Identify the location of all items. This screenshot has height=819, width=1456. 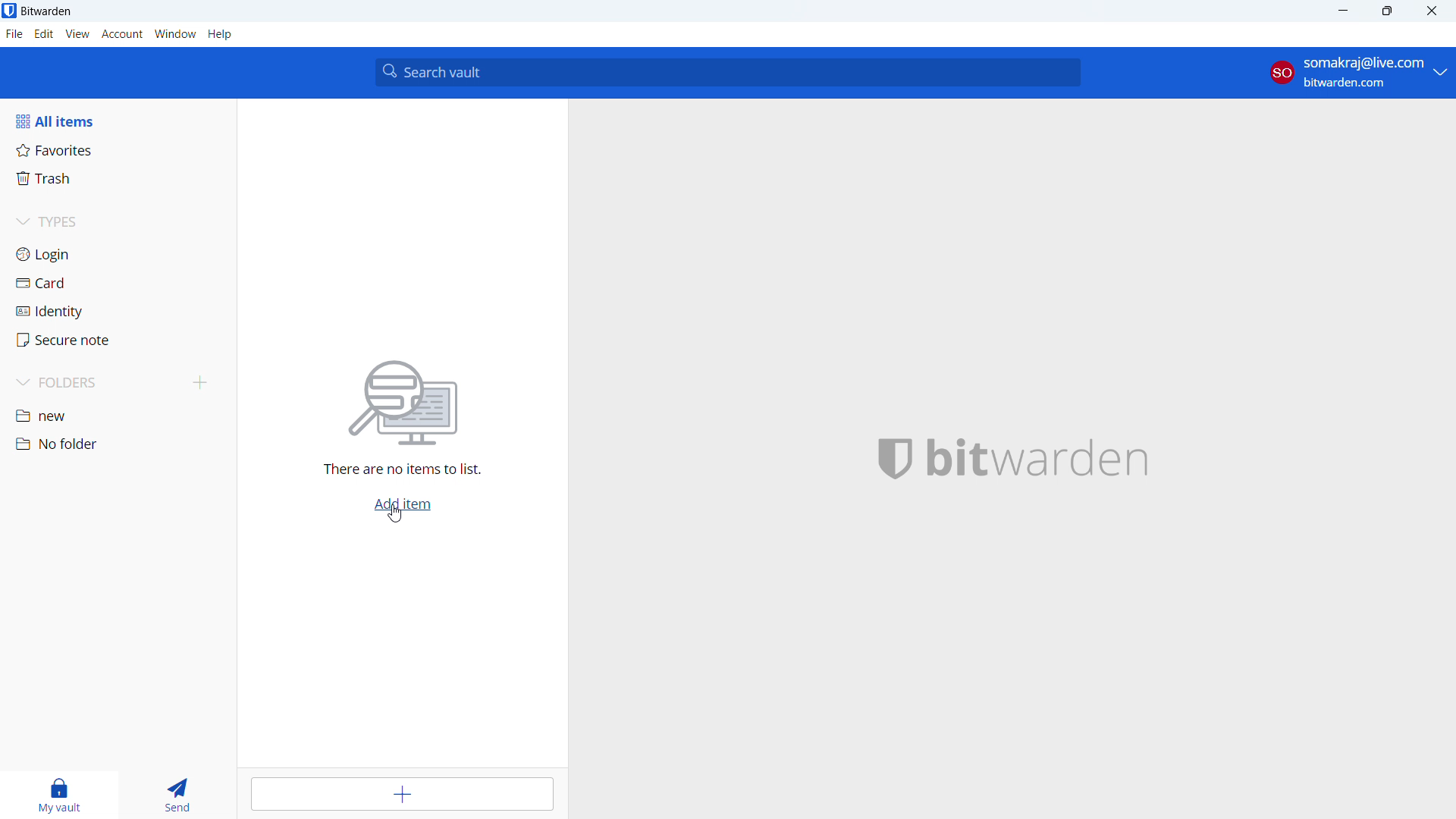
(118, 121).